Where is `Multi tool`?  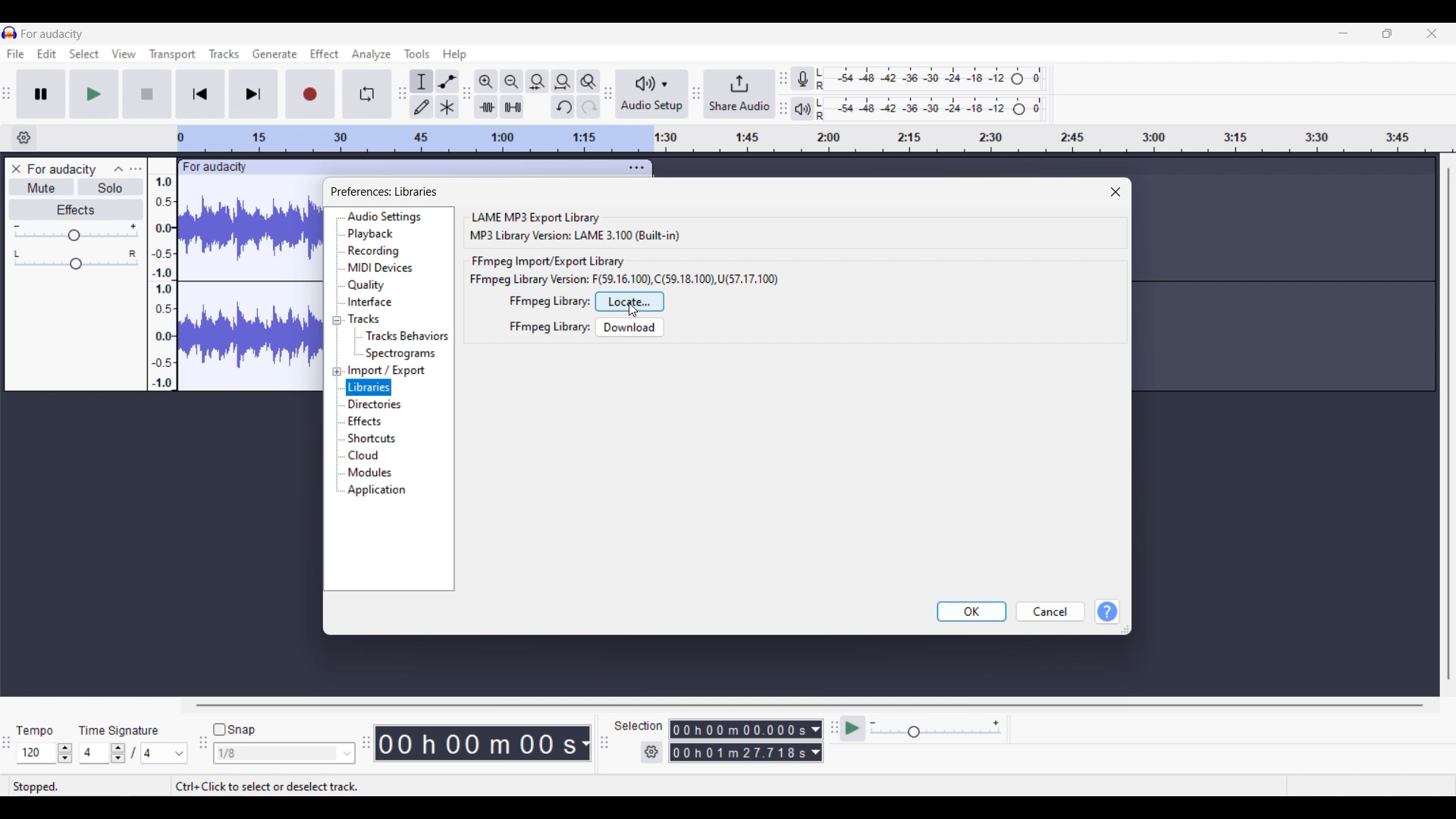 Multi tool is located at coordinates (447, 107).